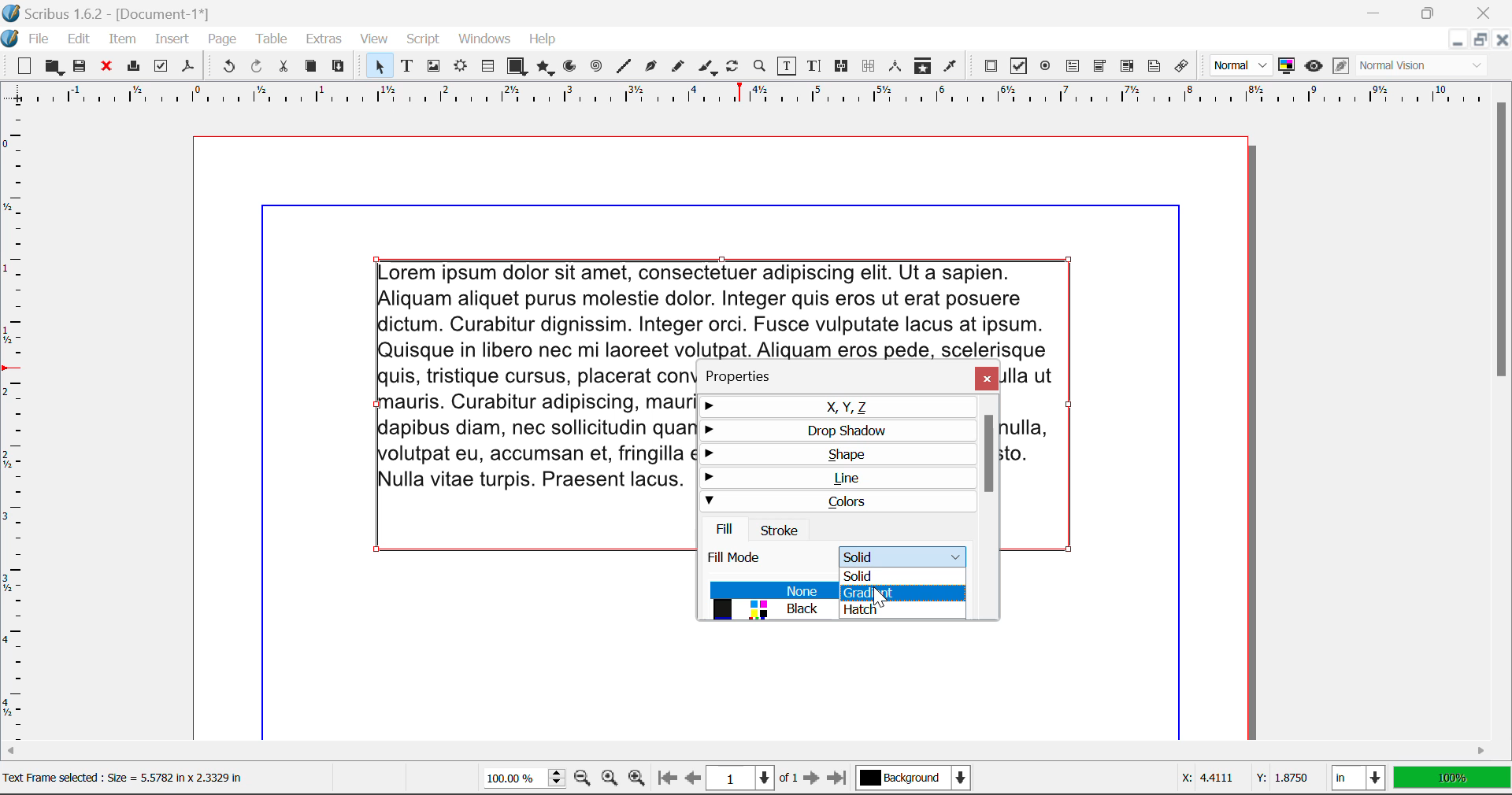 This screenshot has width=1512, height=795. Describe the element at coordinates (610, 780) in the screenshot. I see `Zoom to 100%` at that location.